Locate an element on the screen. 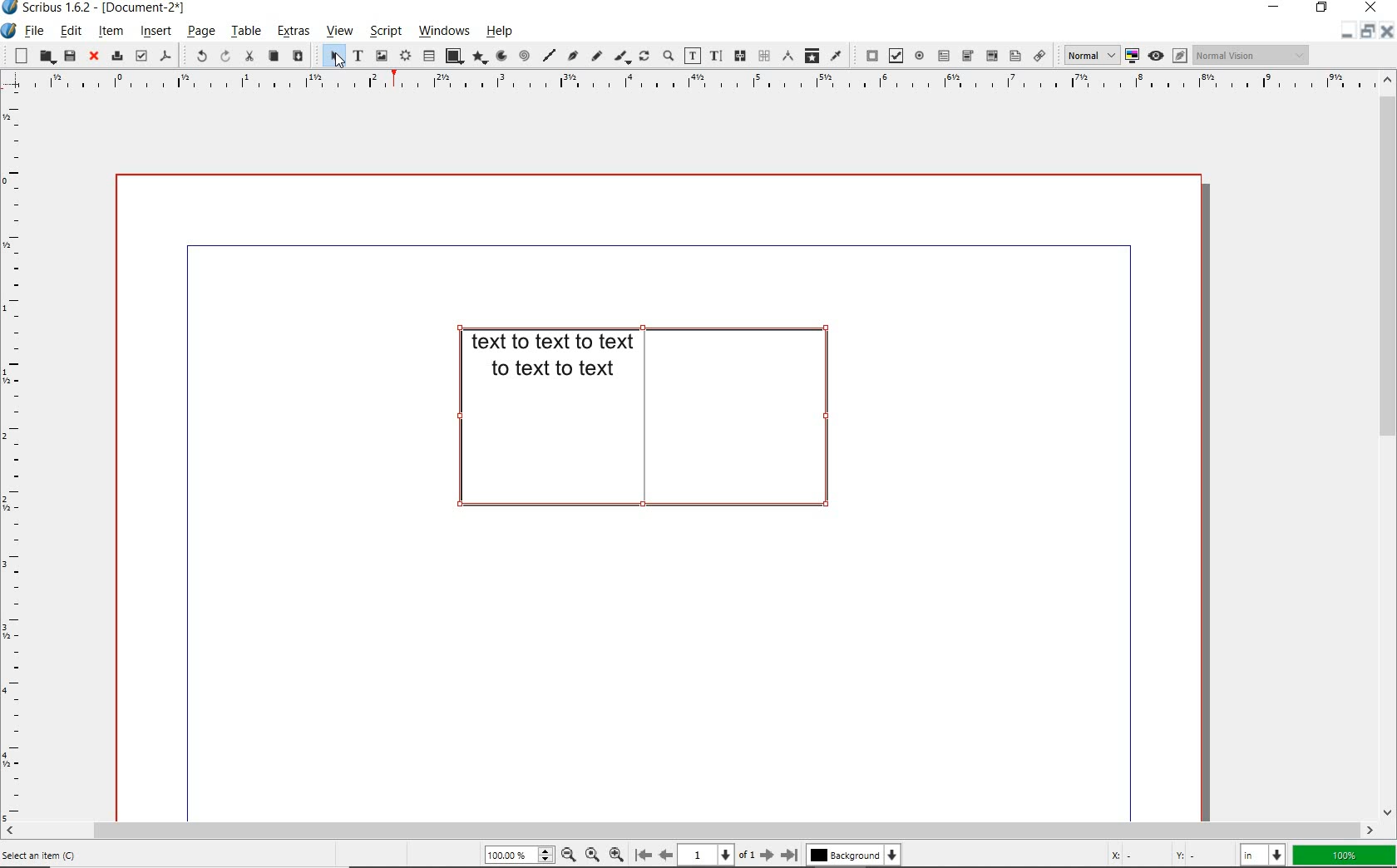  calligraphic line is located at coordinates (620, 56).